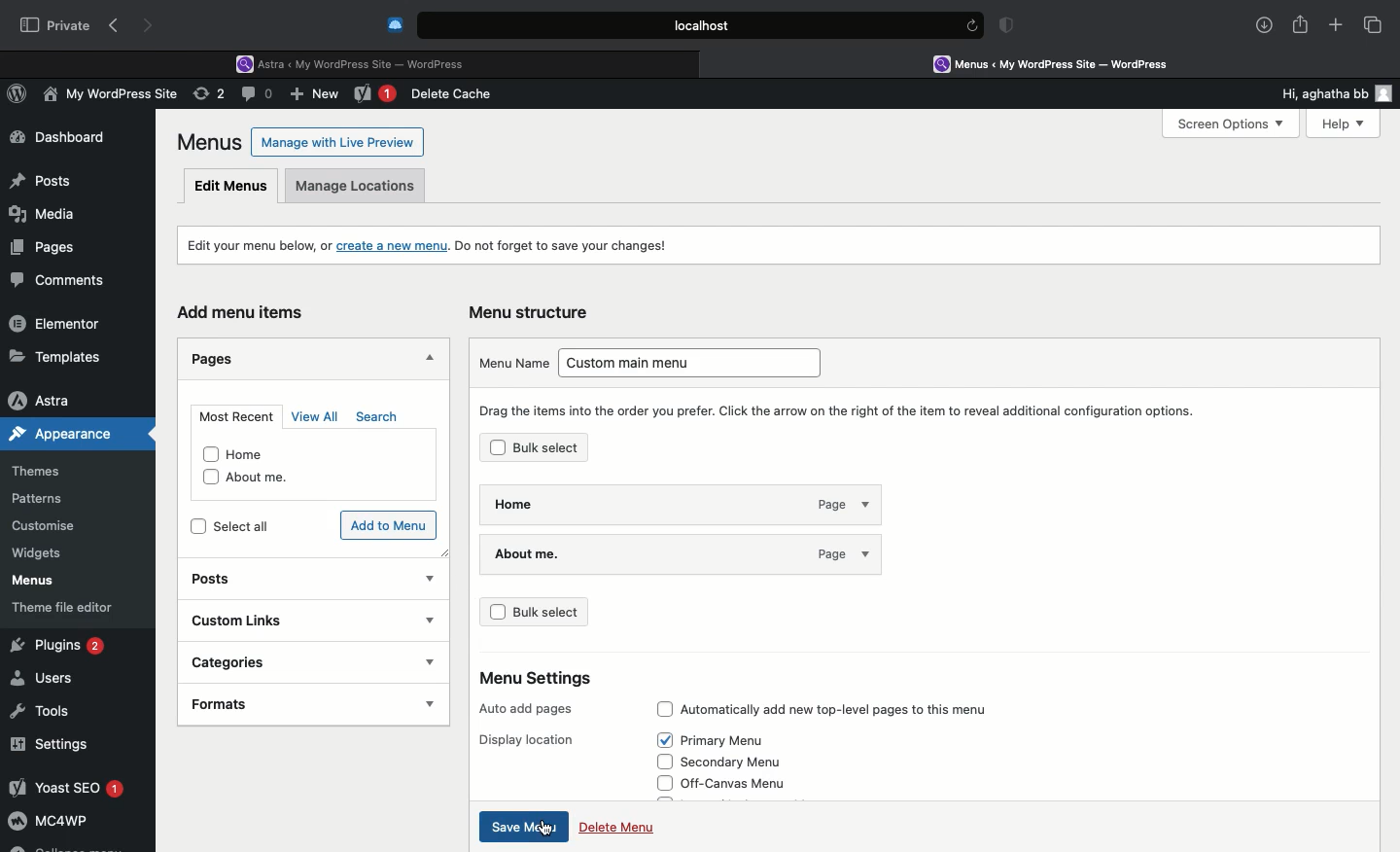 This screenshot has height=852, width=1400. What do you see at coordinates (274, 662) in the screenshot?
I see `Categories` at bounding box center [274, 662].